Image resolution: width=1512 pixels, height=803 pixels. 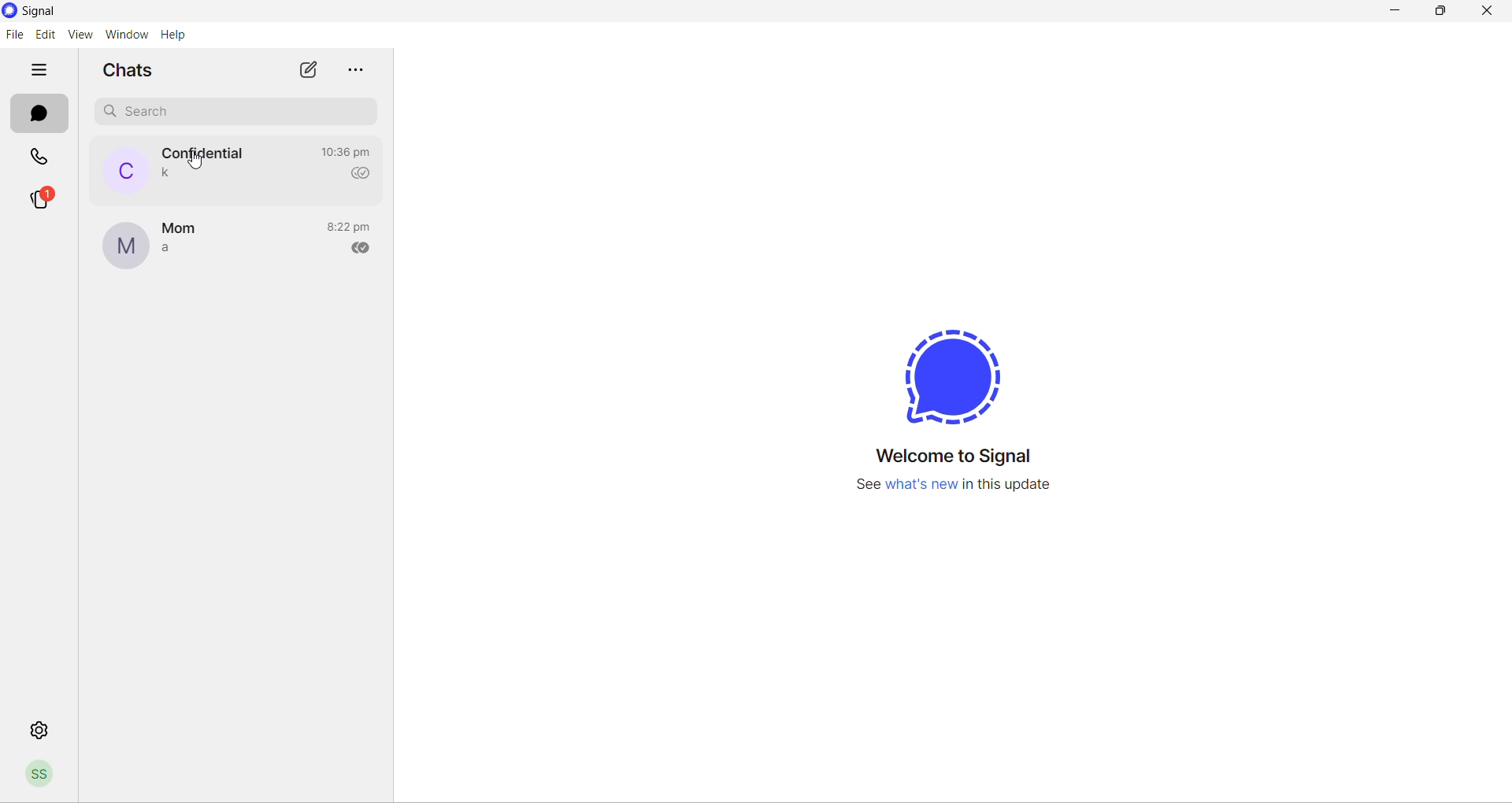 What do you see at coordinates (40, 198) in the screenshot?
I see `stories` at bounding box center [40, 198].